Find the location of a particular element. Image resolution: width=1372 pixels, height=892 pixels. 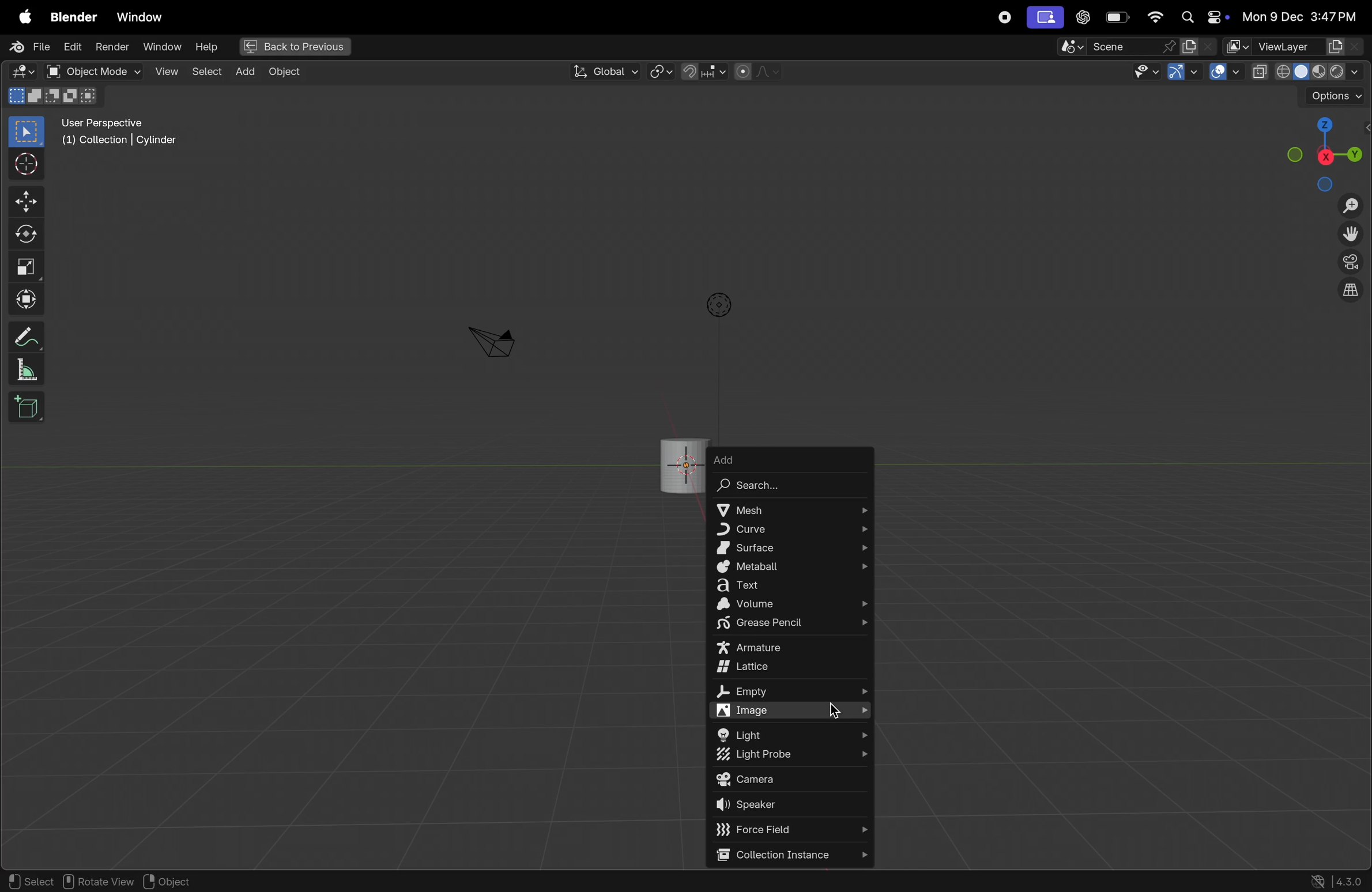

volume is located at coordinates (791, 605).